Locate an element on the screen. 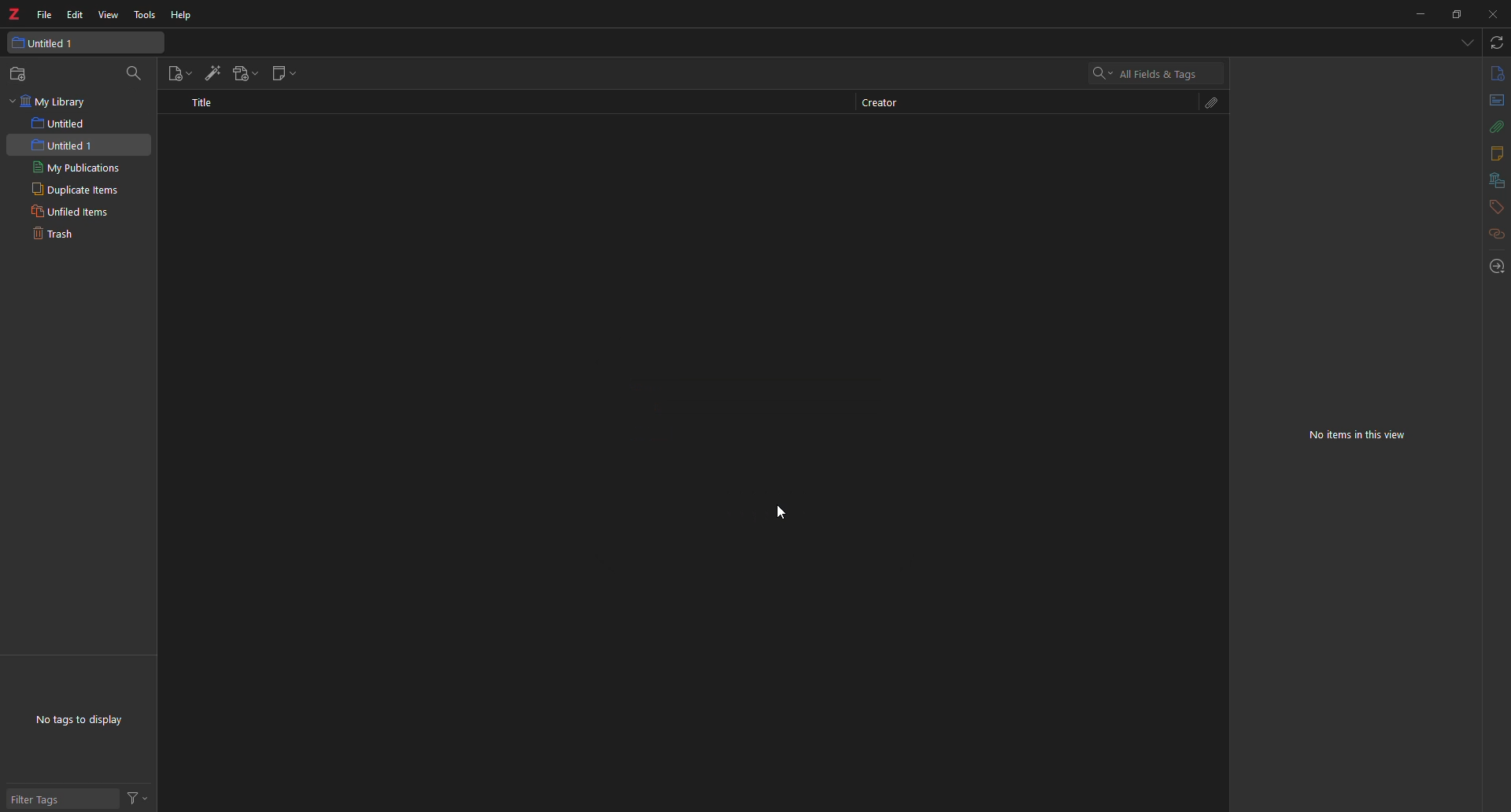 This screenshot has width=1511, height=812. tags is located at coordinates (1492, 208).